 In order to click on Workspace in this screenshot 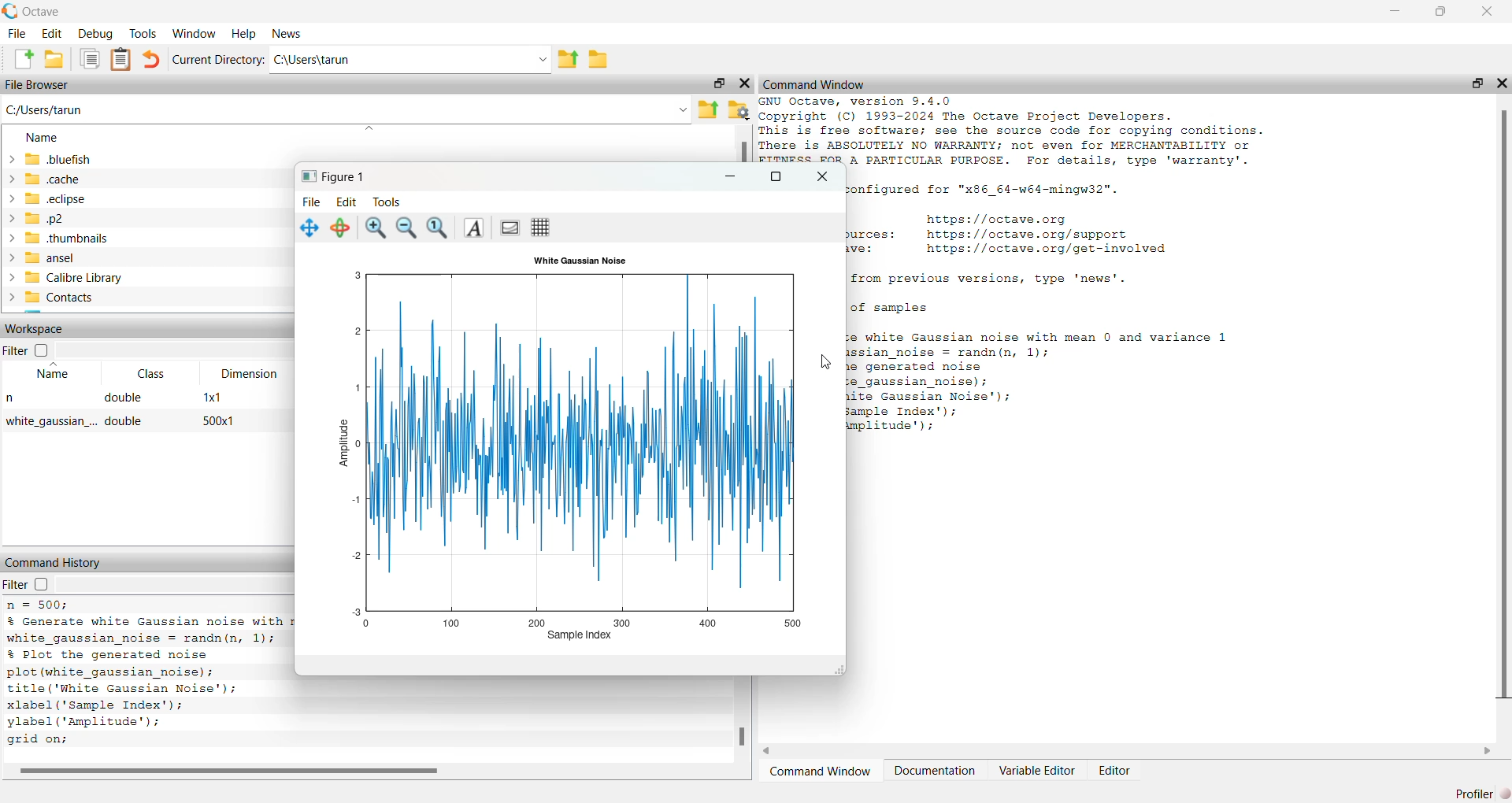, I will do `click(36, 331)`.